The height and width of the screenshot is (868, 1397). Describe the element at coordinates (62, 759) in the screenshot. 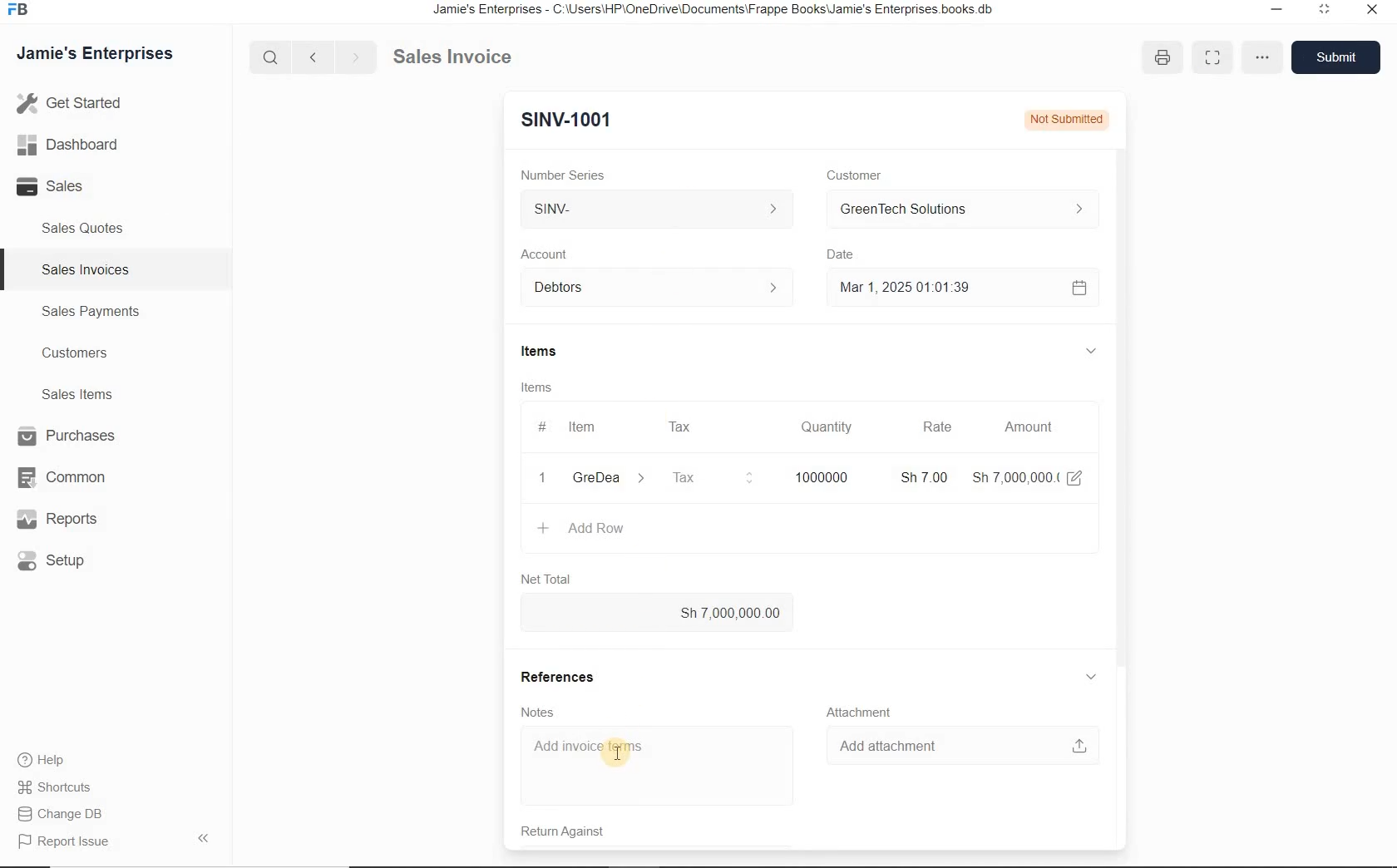

I see `) Help` at that location.